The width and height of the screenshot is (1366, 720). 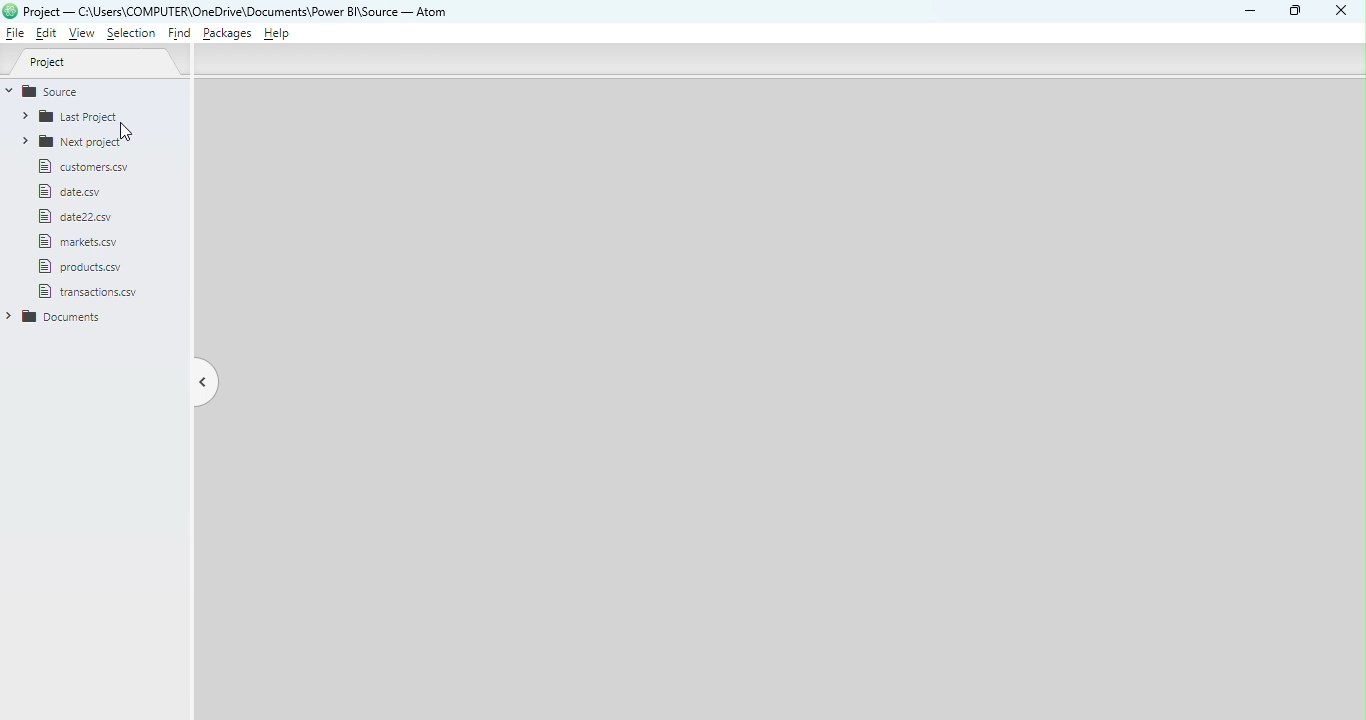 I want to click on Folder, so click(x=93, y=119).